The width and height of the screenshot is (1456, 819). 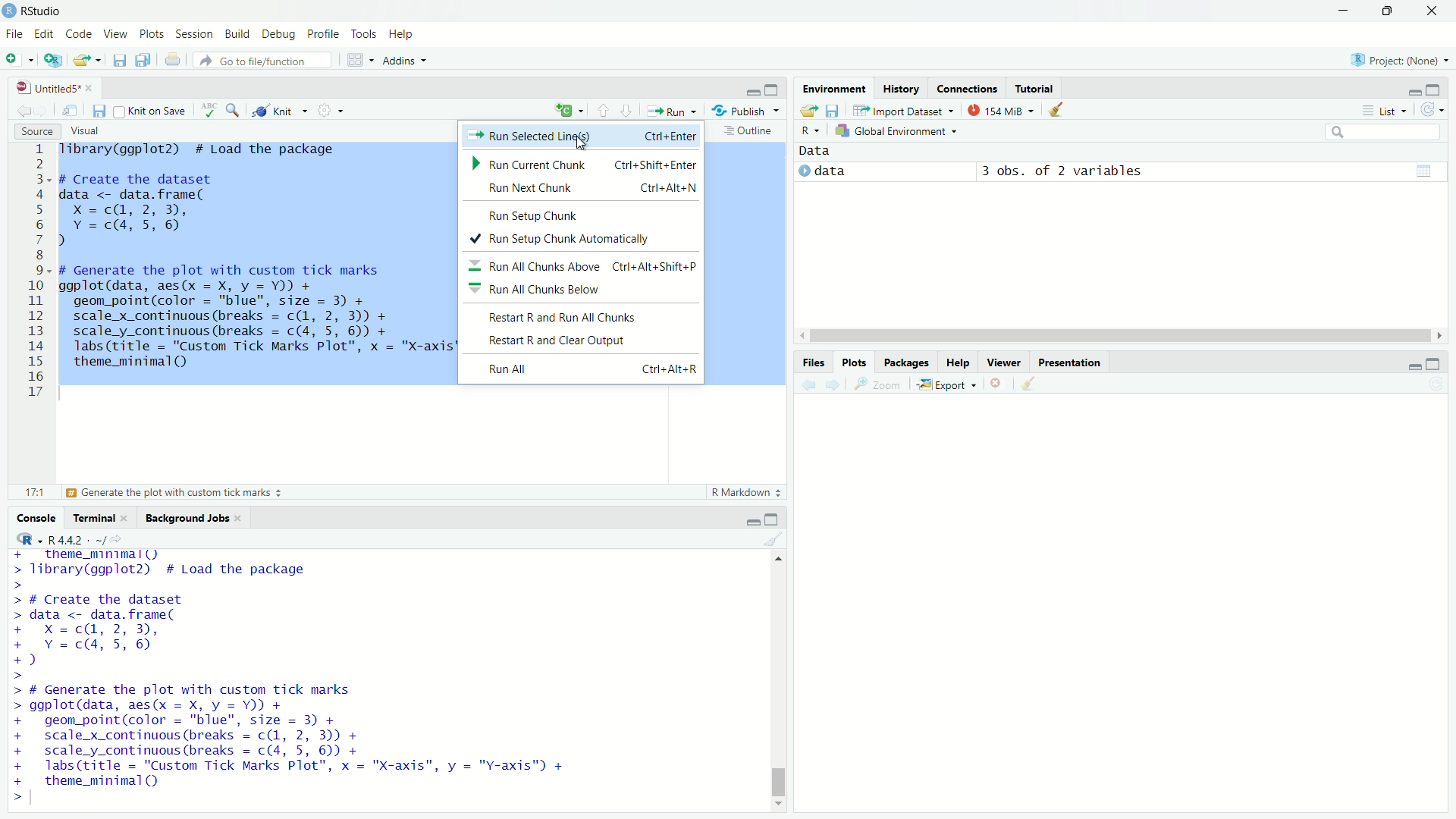 I want to click on previous plot, so click(x=804, y=384).